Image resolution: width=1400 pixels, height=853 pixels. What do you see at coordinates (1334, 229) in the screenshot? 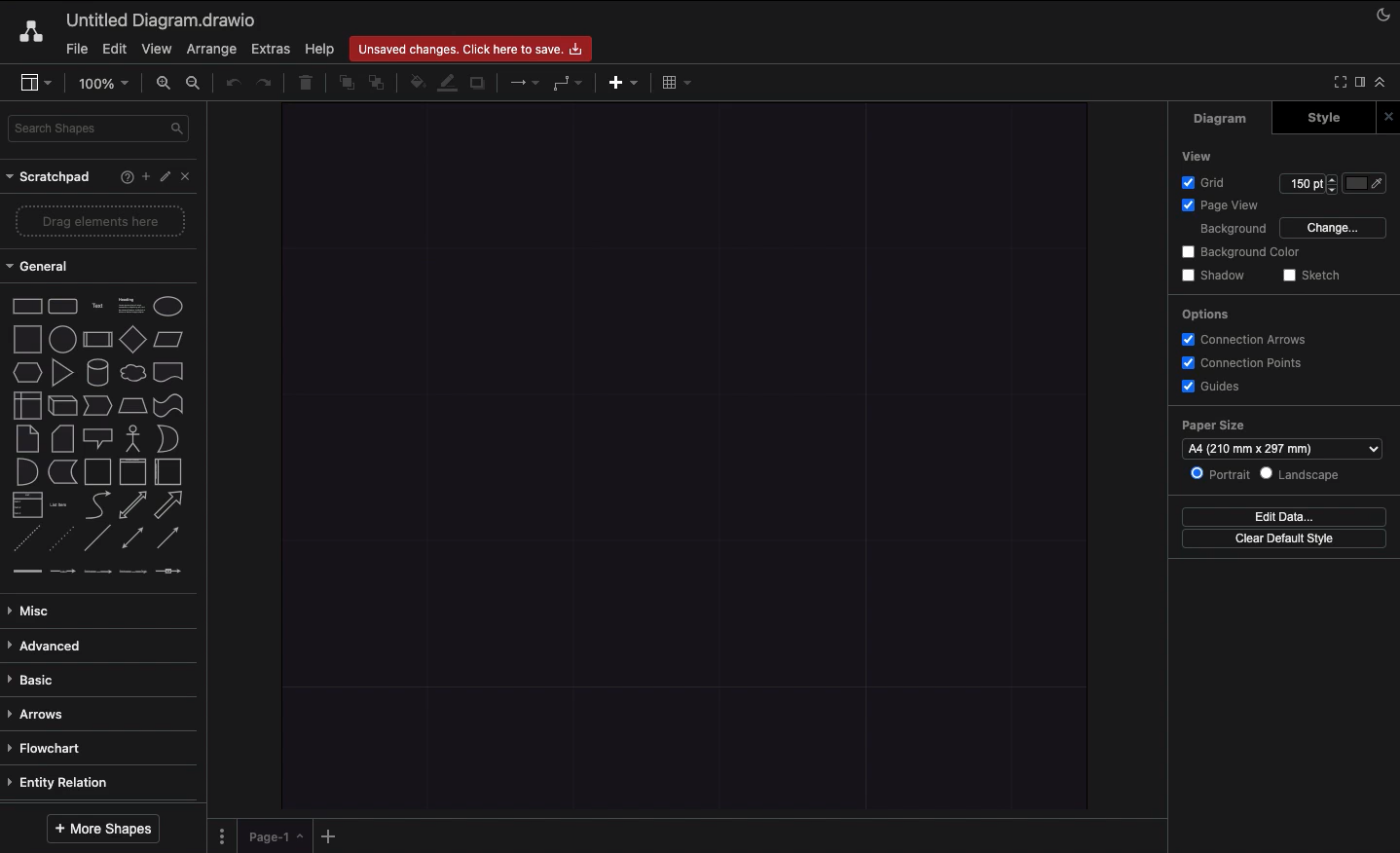
I see `Change` at bounding box center [1334, 229].